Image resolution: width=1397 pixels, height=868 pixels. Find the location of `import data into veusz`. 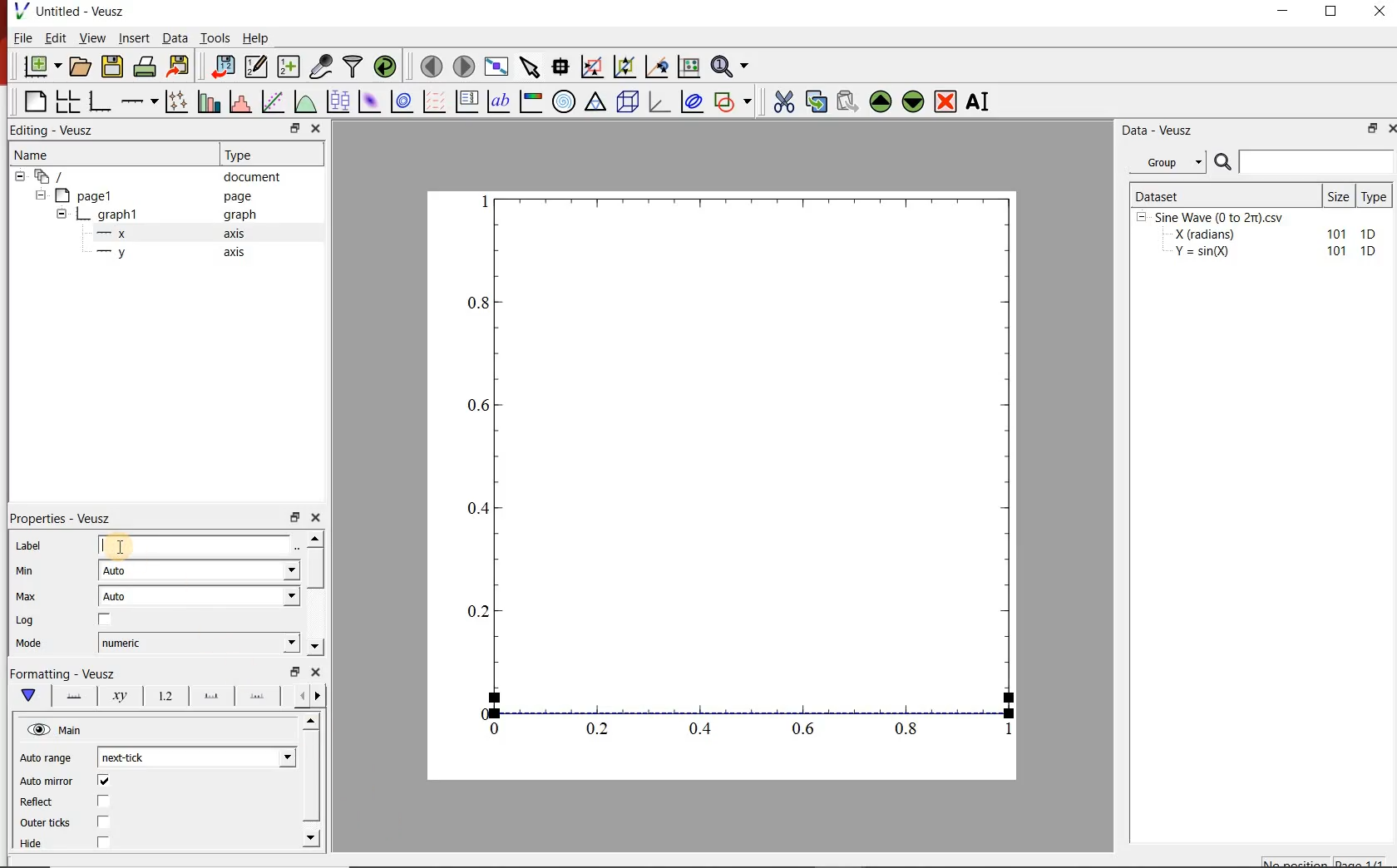

import data into veusz is located at coordinates (221, 66).